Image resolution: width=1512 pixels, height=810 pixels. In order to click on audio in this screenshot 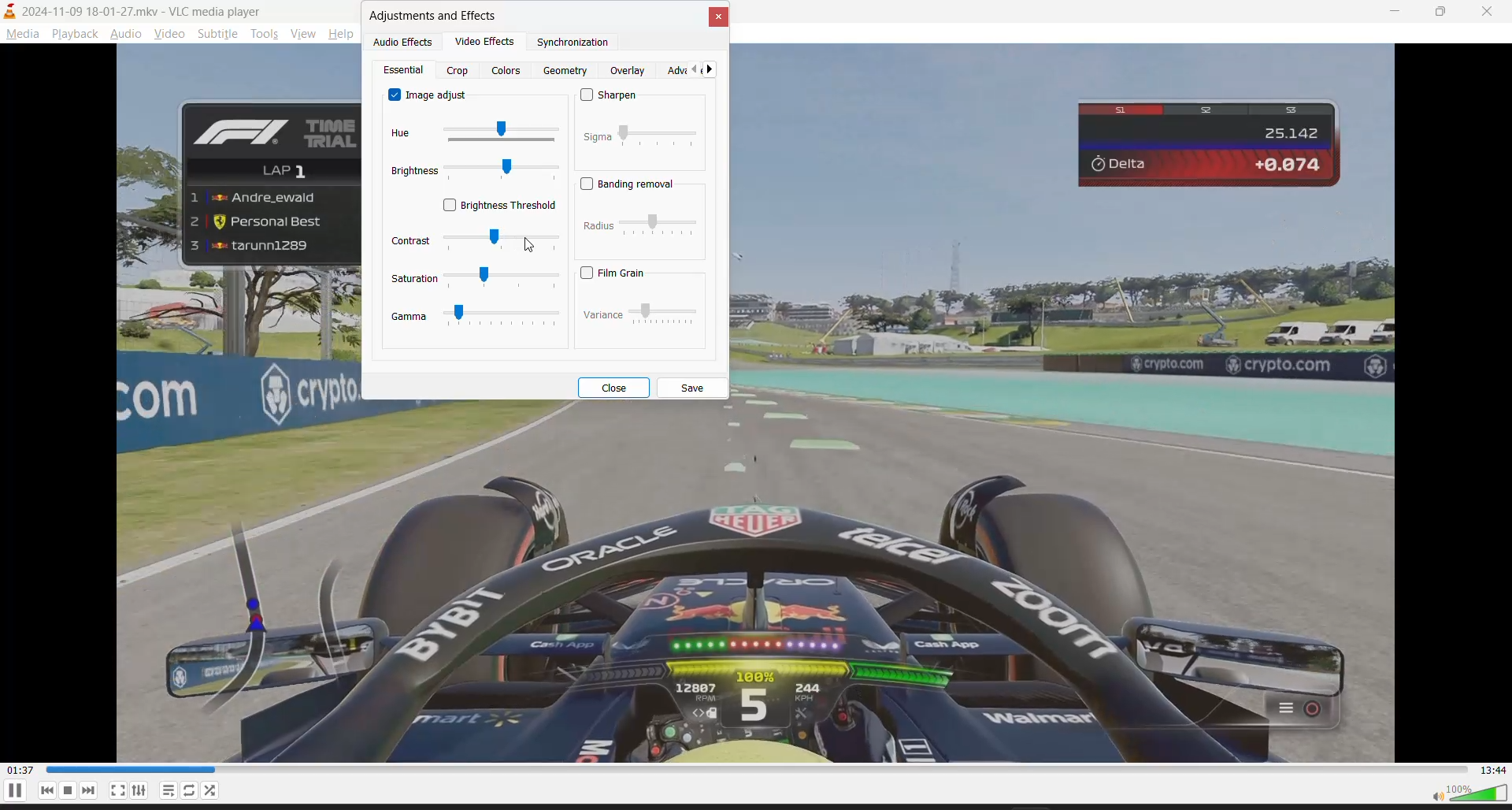, I will do `click(128, 32)`.